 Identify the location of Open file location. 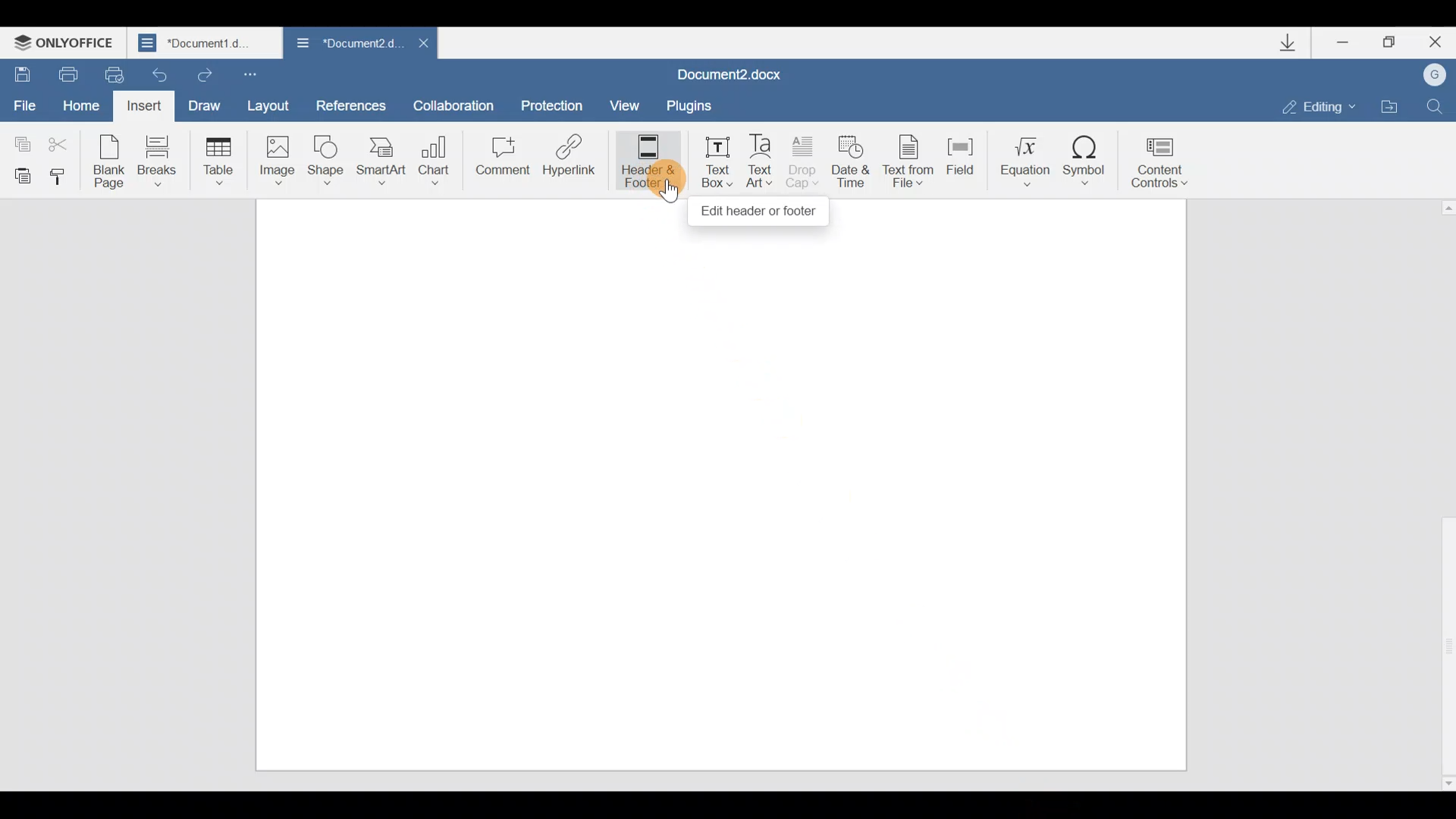
(1392, 105).